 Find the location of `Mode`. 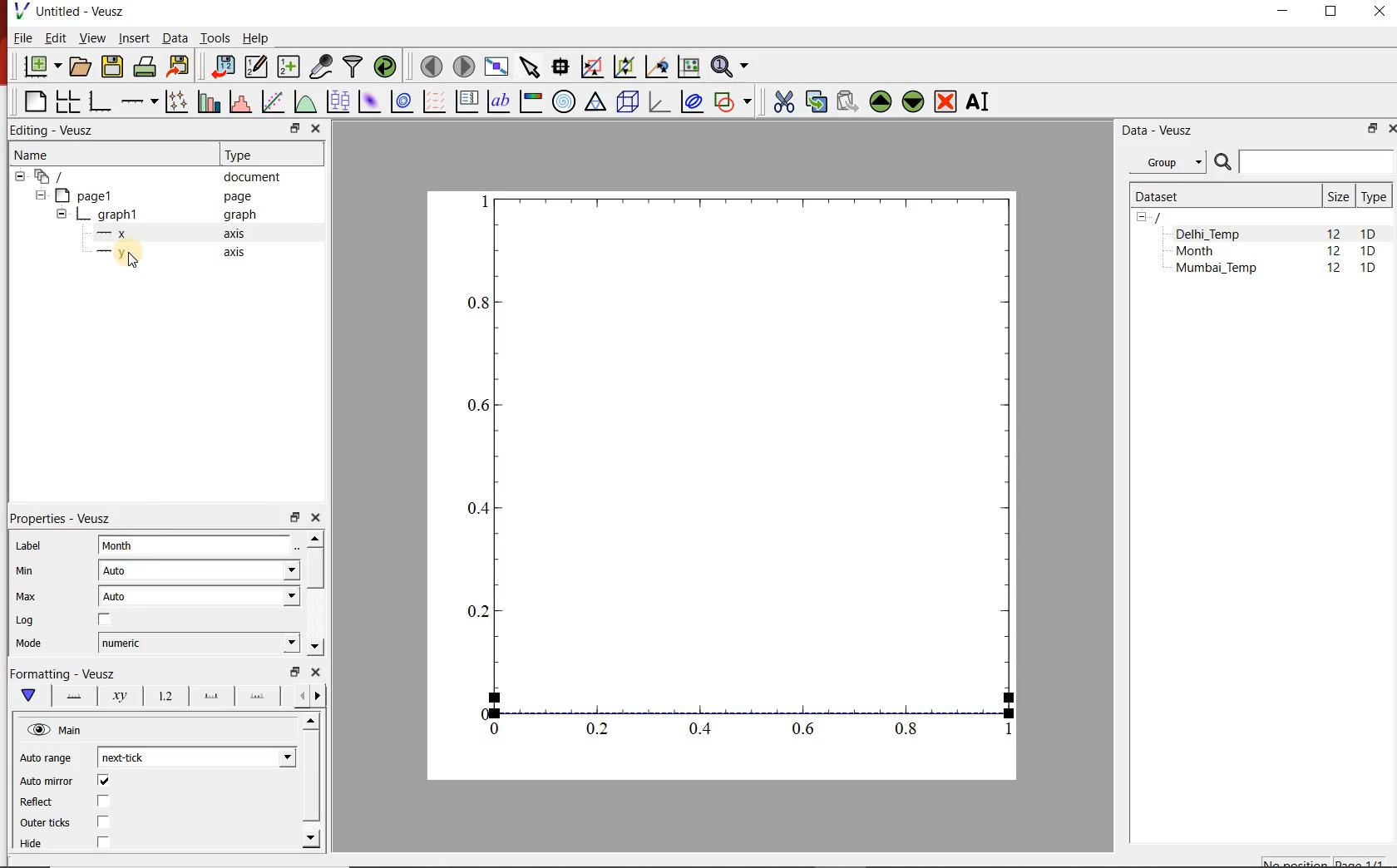

Mode is located at coordinates (28, 645).